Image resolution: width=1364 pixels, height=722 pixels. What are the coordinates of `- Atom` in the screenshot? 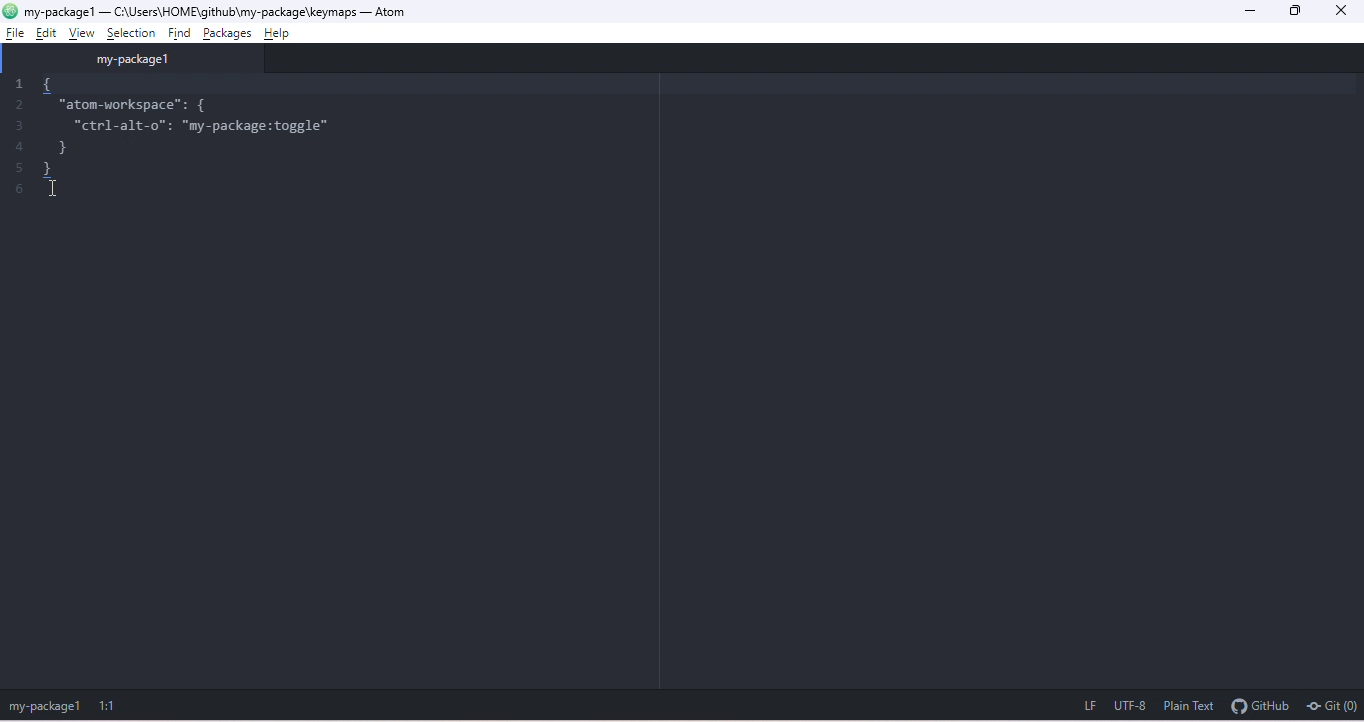 It's located at (399, 12).